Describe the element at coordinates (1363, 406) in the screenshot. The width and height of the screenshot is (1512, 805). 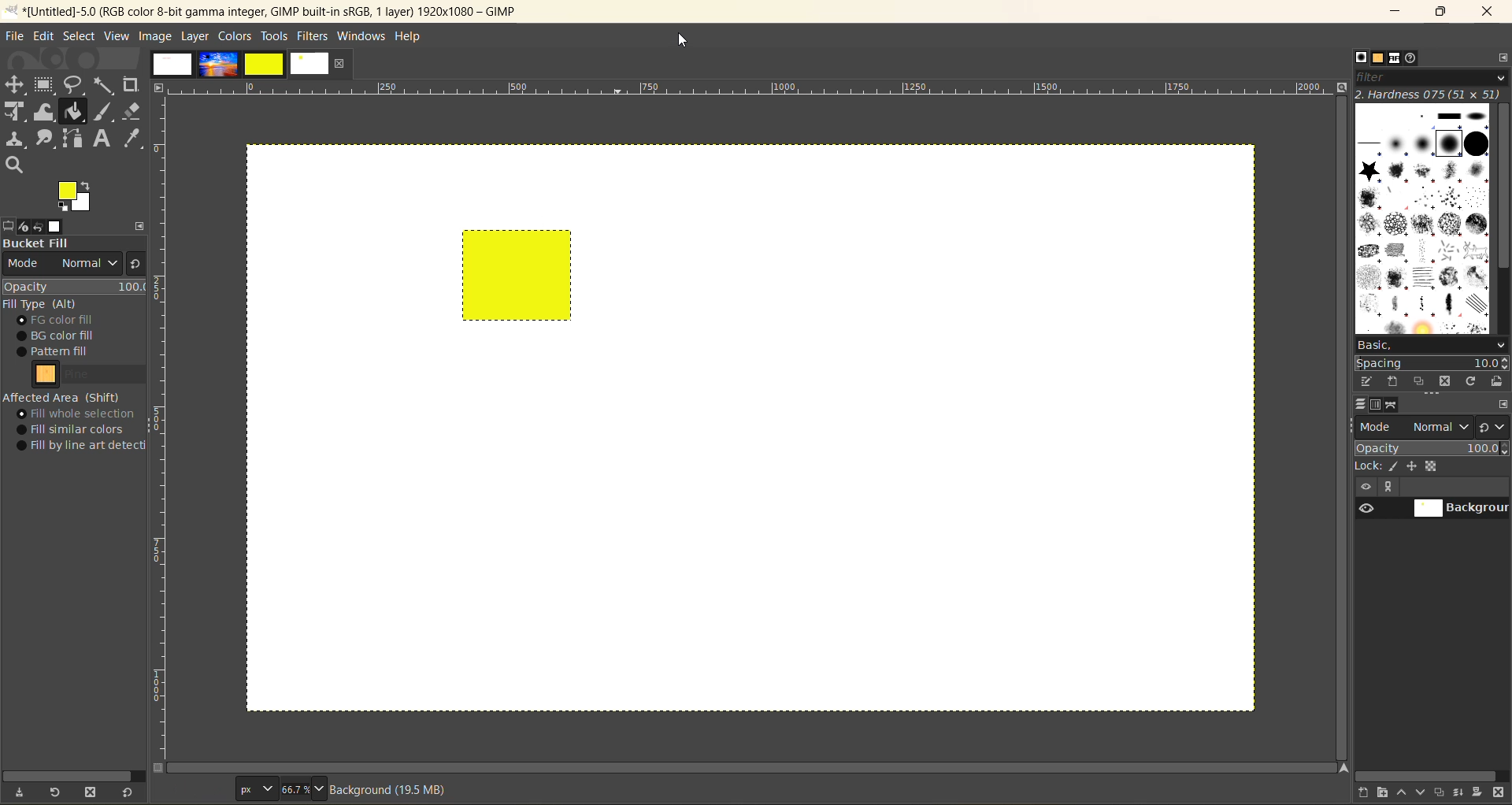
I see `layers` at that location.